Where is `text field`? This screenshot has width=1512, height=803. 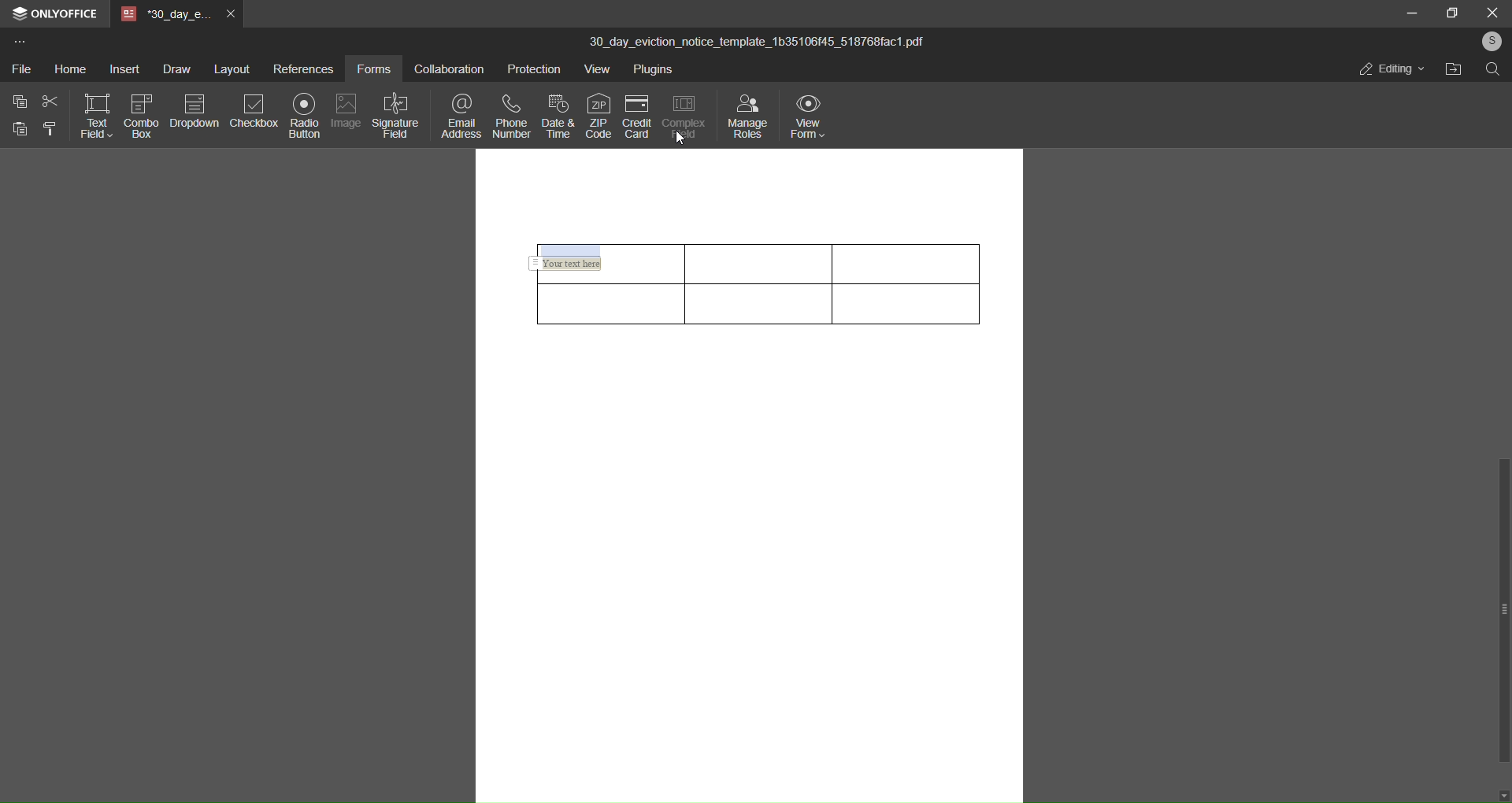 text field is located at coordinates (93, 113).